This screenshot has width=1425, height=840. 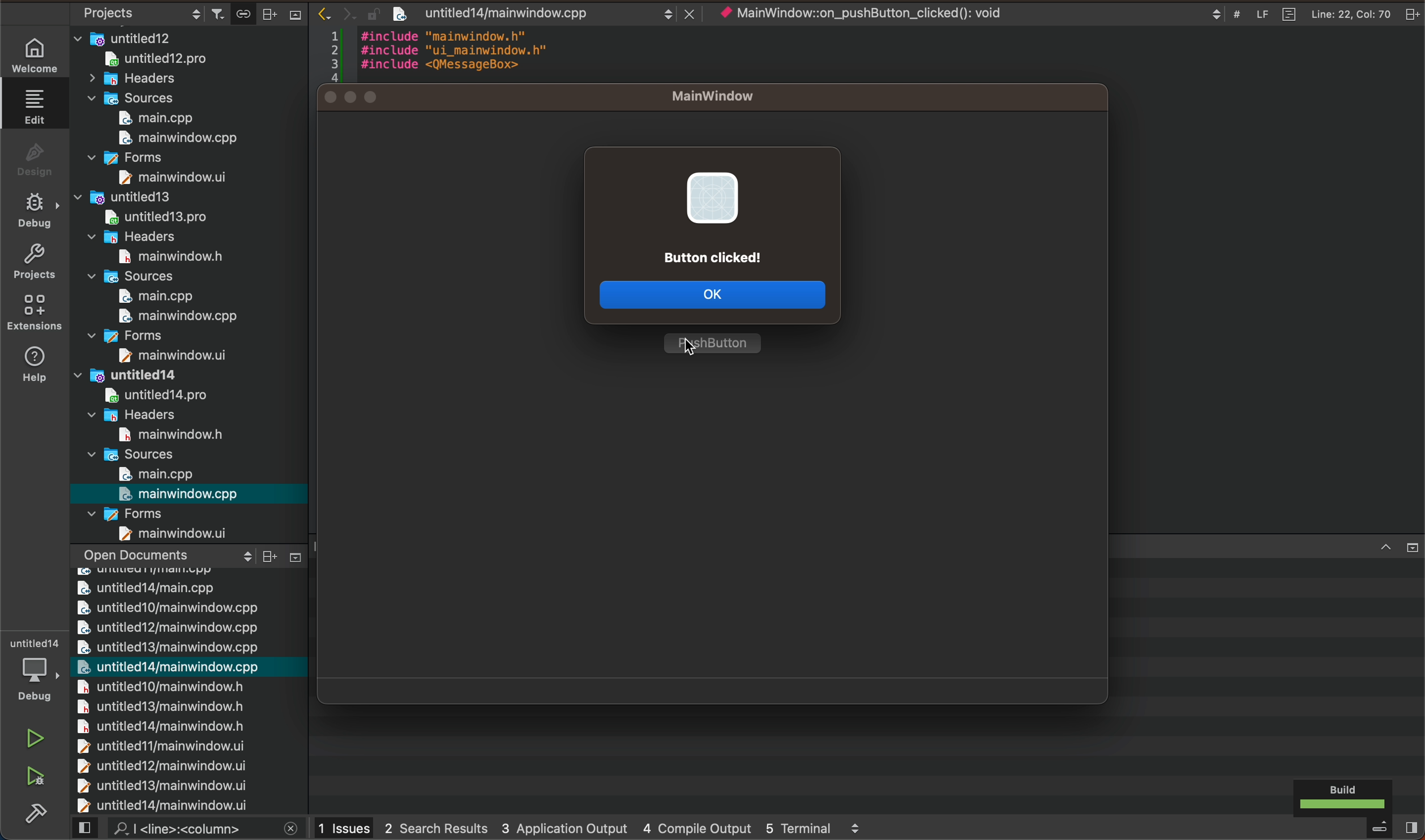 I want to click on arrows, so click(x=349, y=14).